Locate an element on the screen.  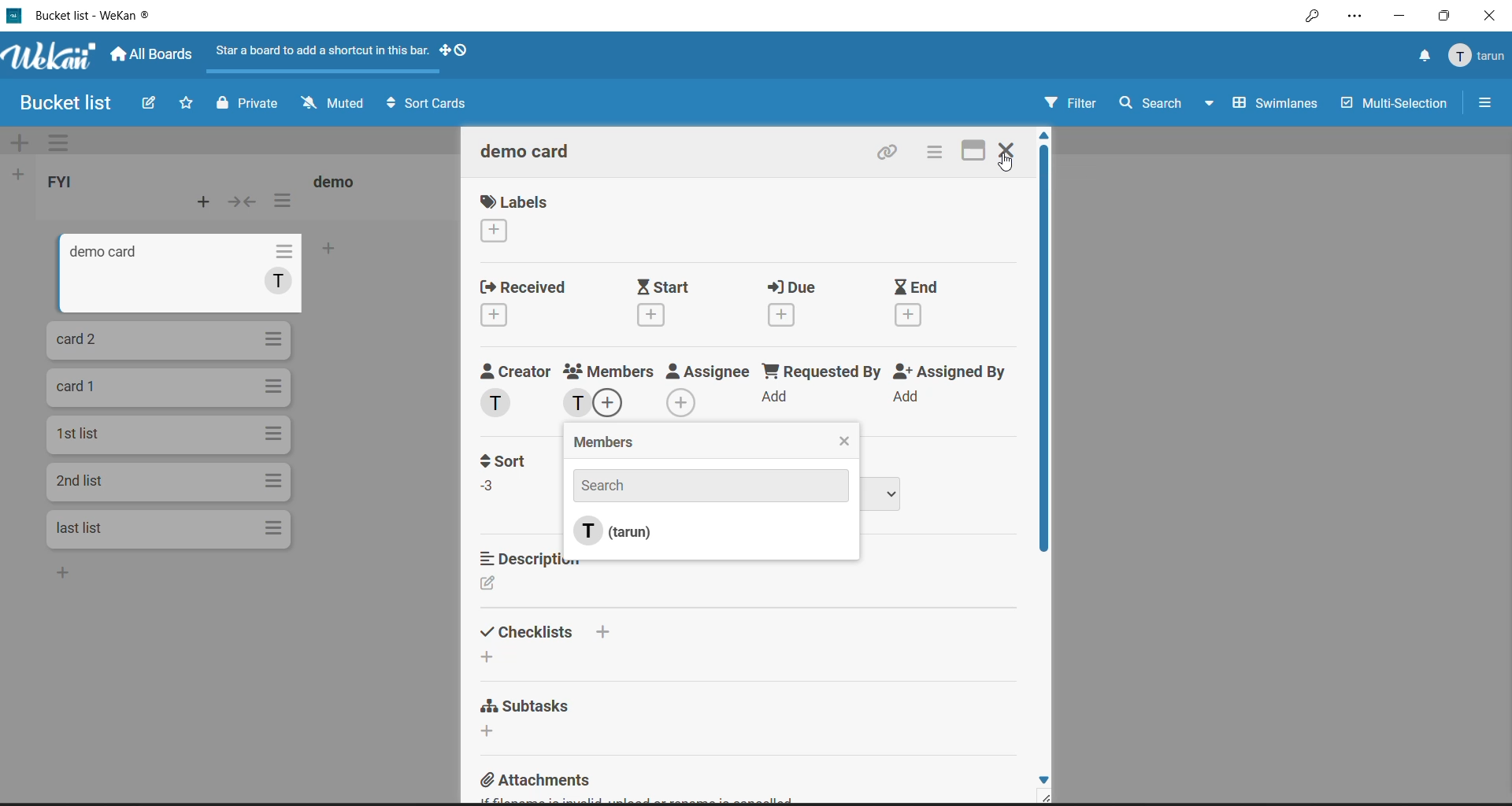
close is located at coordinates (1492, 14).